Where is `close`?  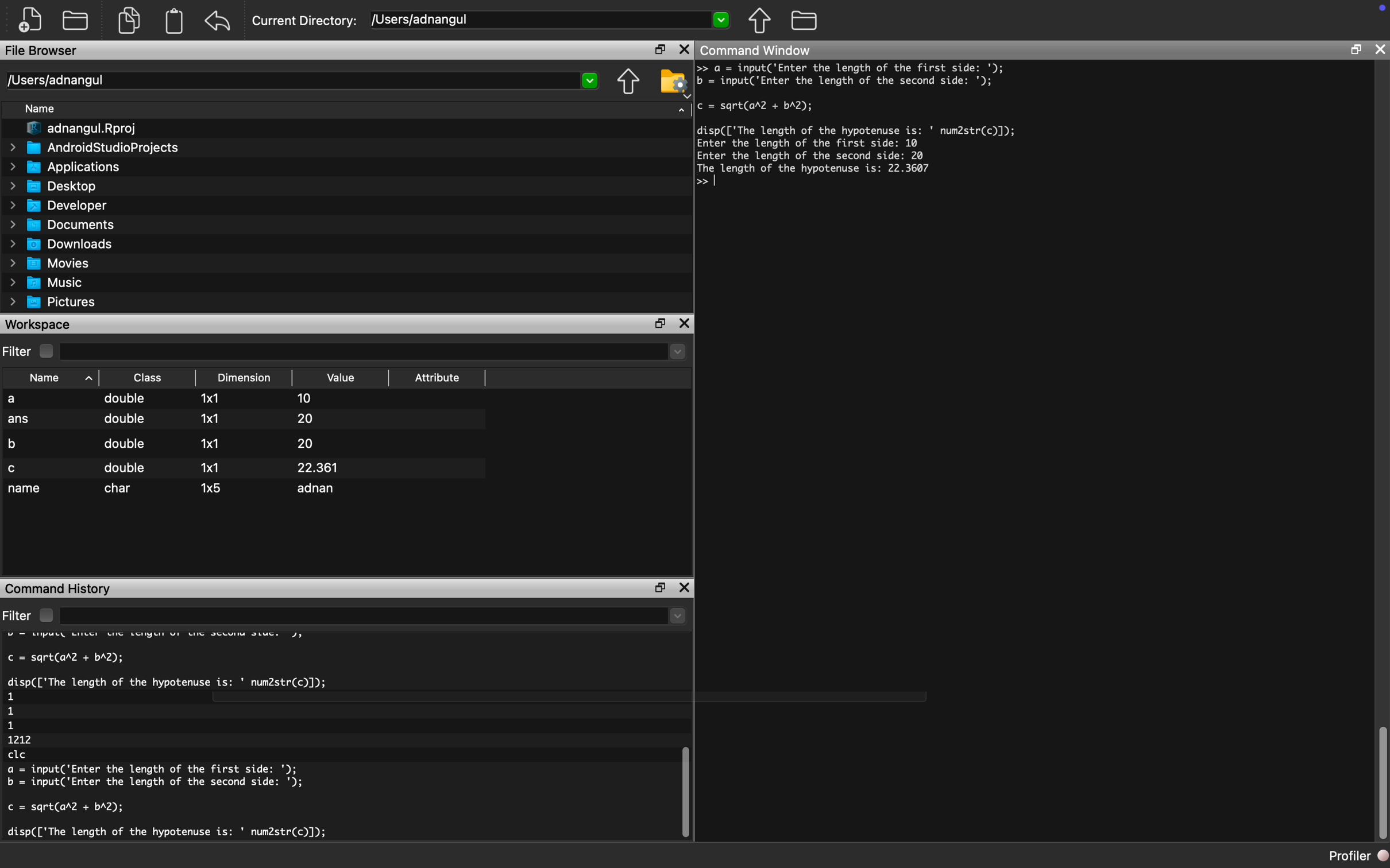
close is located at coordinates (687, 324).